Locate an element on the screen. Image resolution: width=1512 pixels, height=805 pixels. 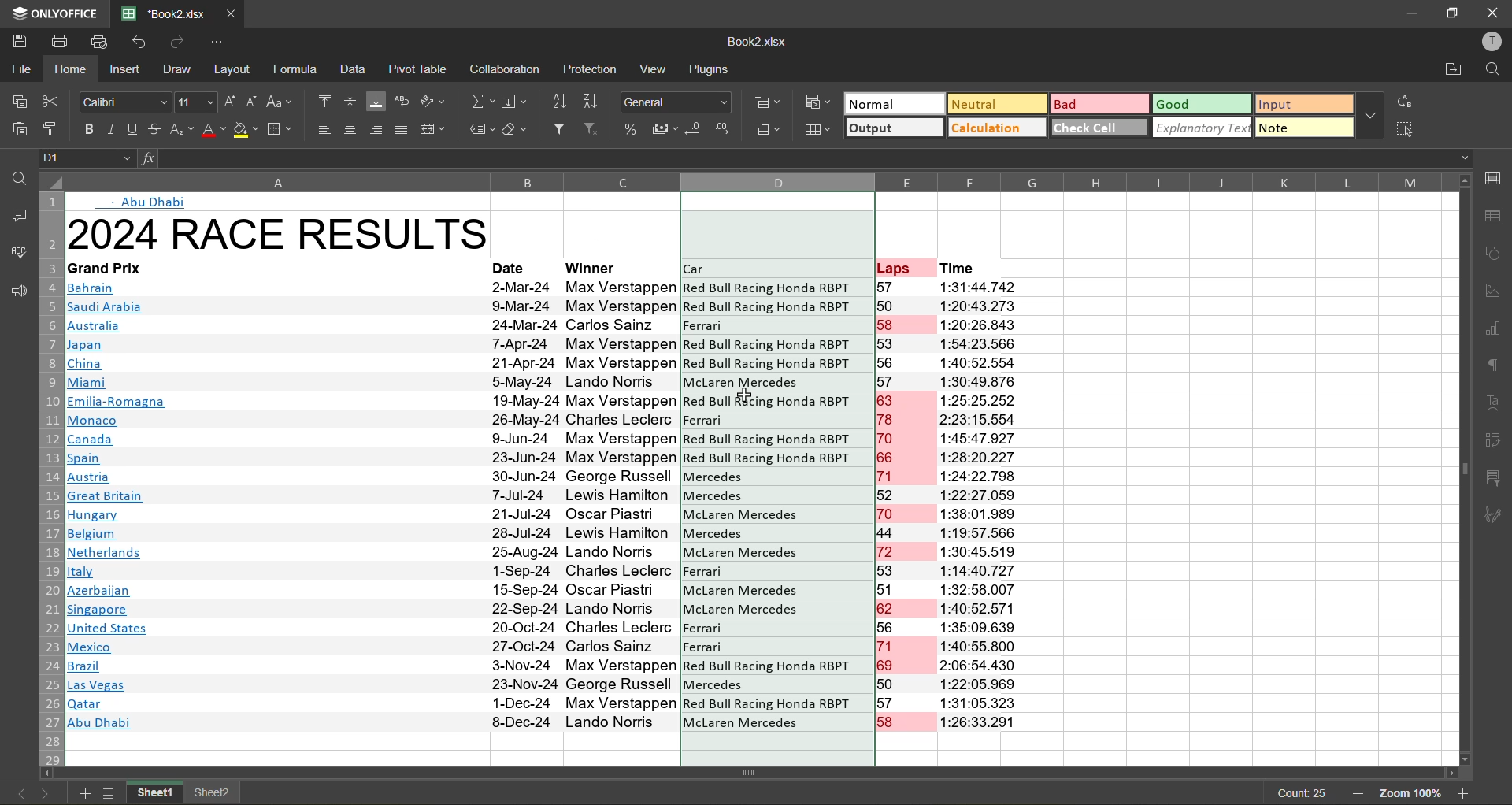
Abu Dhabi 8-Dec-24 Lando Norris McLaren Mercedes 58 1:26:33.291 is located at coordinates (548, 723).